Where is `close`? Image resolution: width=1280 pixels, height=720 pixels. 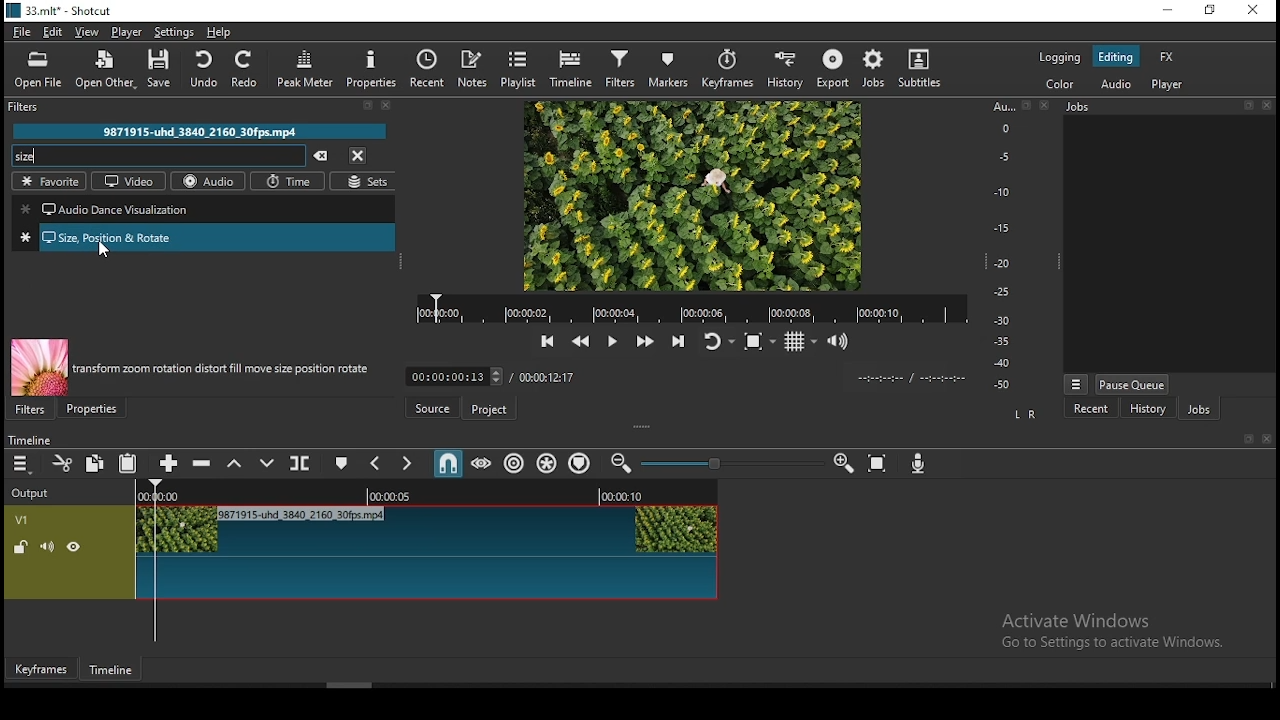
close is located at coordinates (1043, 105).